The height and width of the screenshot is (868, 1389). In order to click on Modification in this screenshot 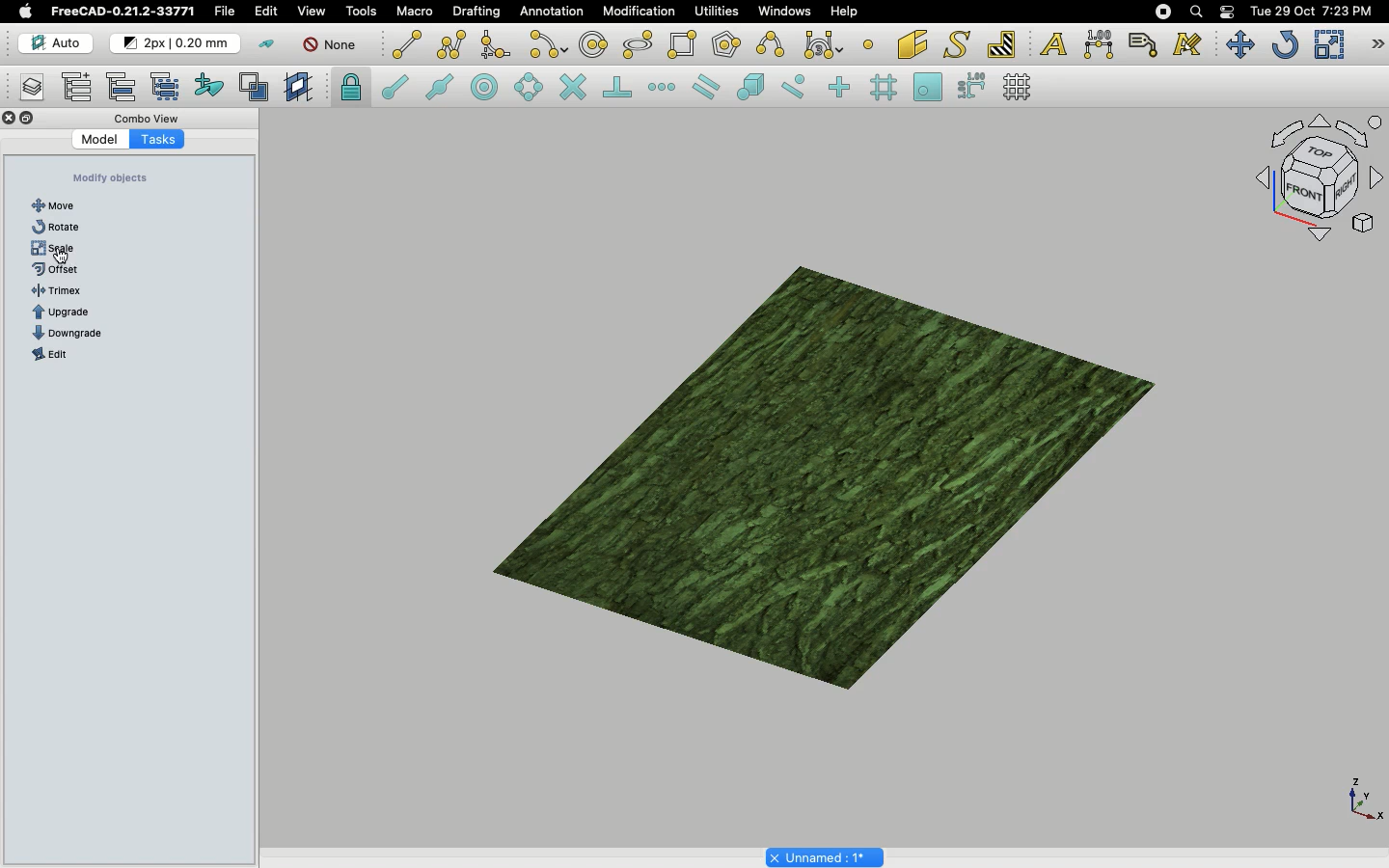, I will do `click(633, 11)`.